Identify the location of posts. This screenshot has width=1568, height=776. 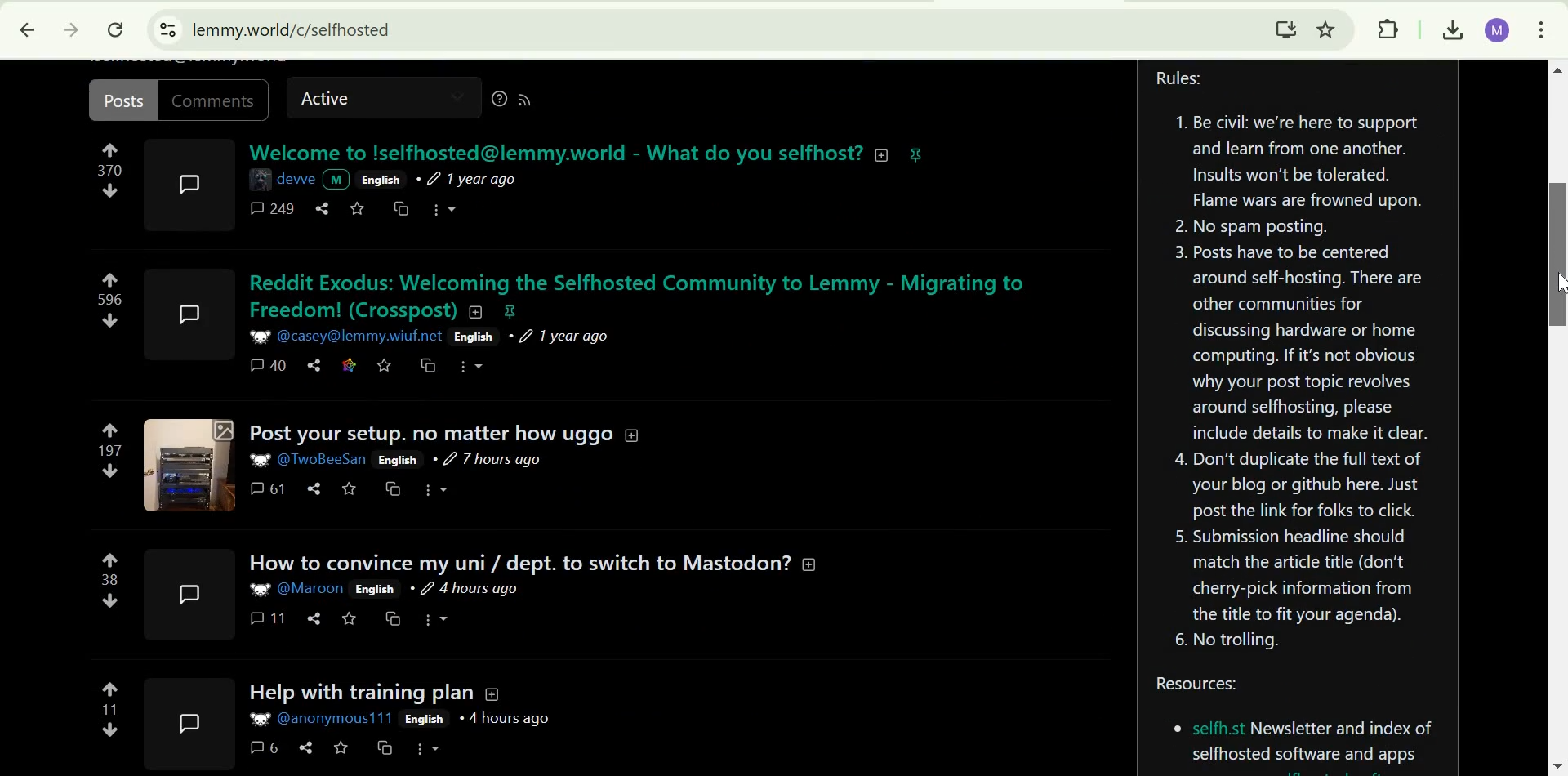
(122, 100).